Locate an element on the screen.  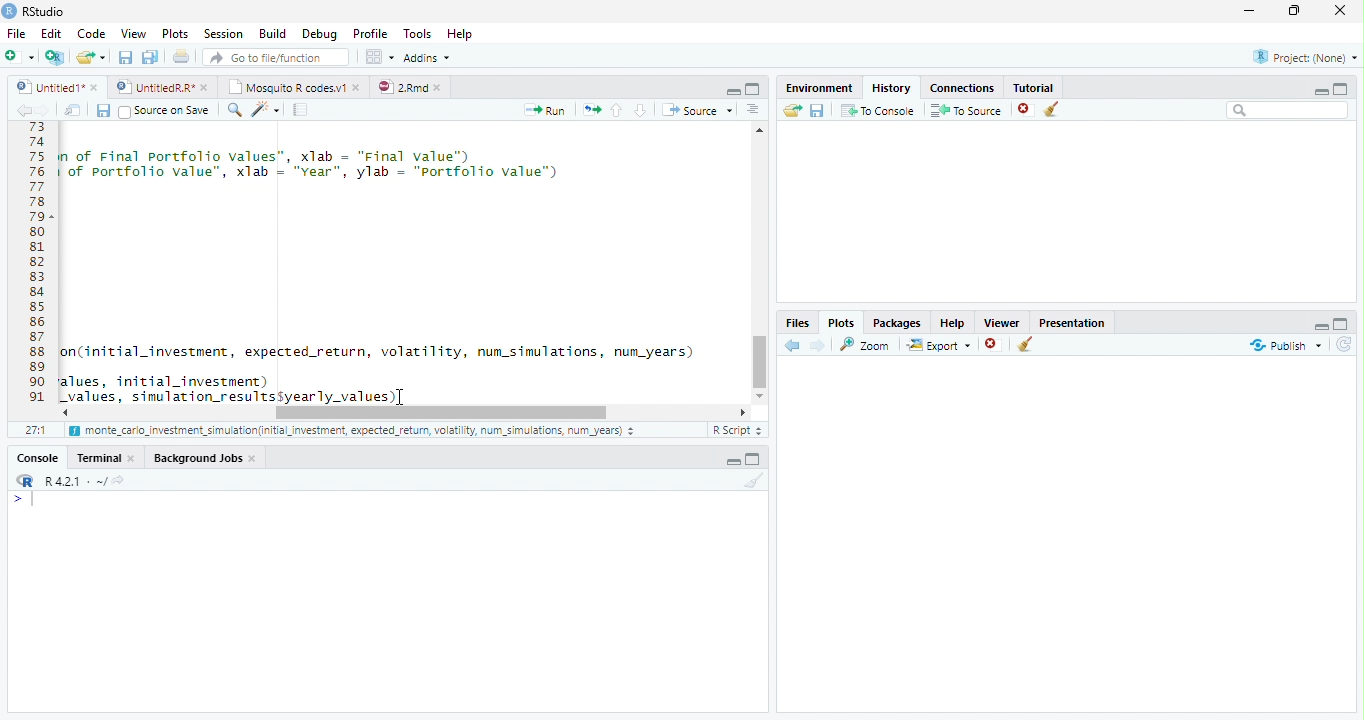
Clear is located at coordinates (1056, 110).